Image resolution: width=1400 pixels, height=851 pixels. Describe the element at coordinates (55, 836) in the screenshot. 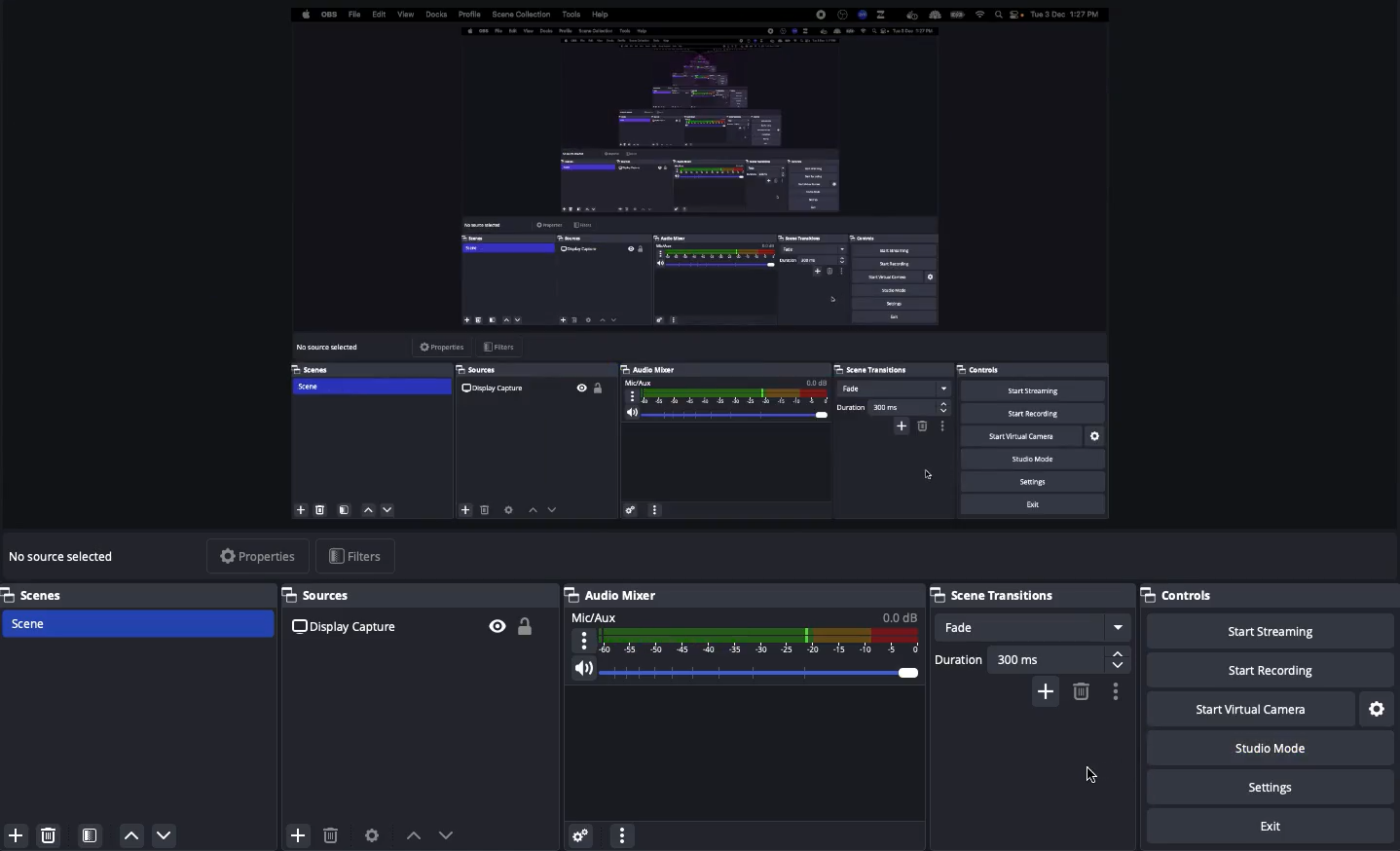

I see `delete` at that location.